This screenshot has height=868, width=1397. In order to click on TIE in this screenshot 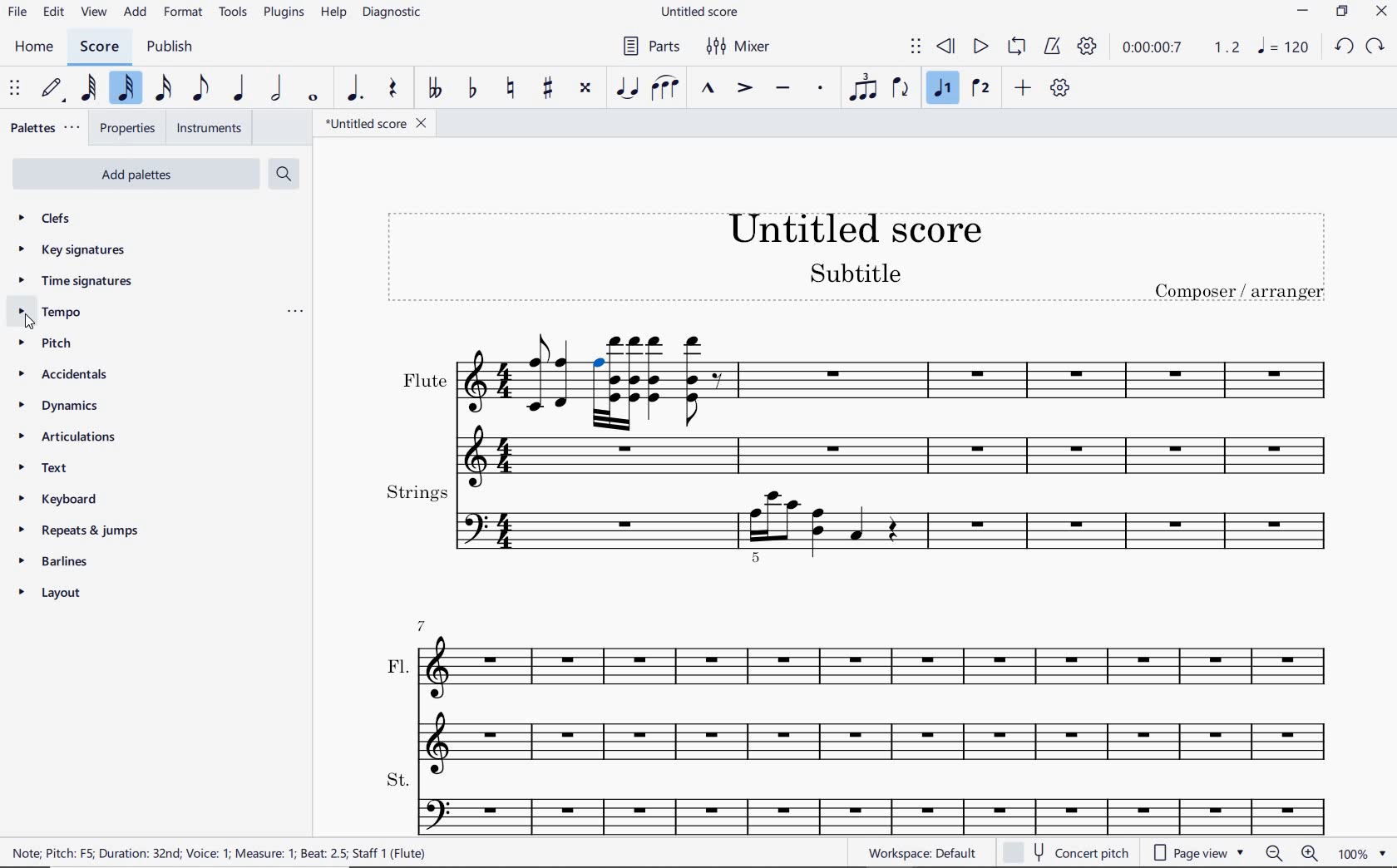, I will do `click(629, 89)`.